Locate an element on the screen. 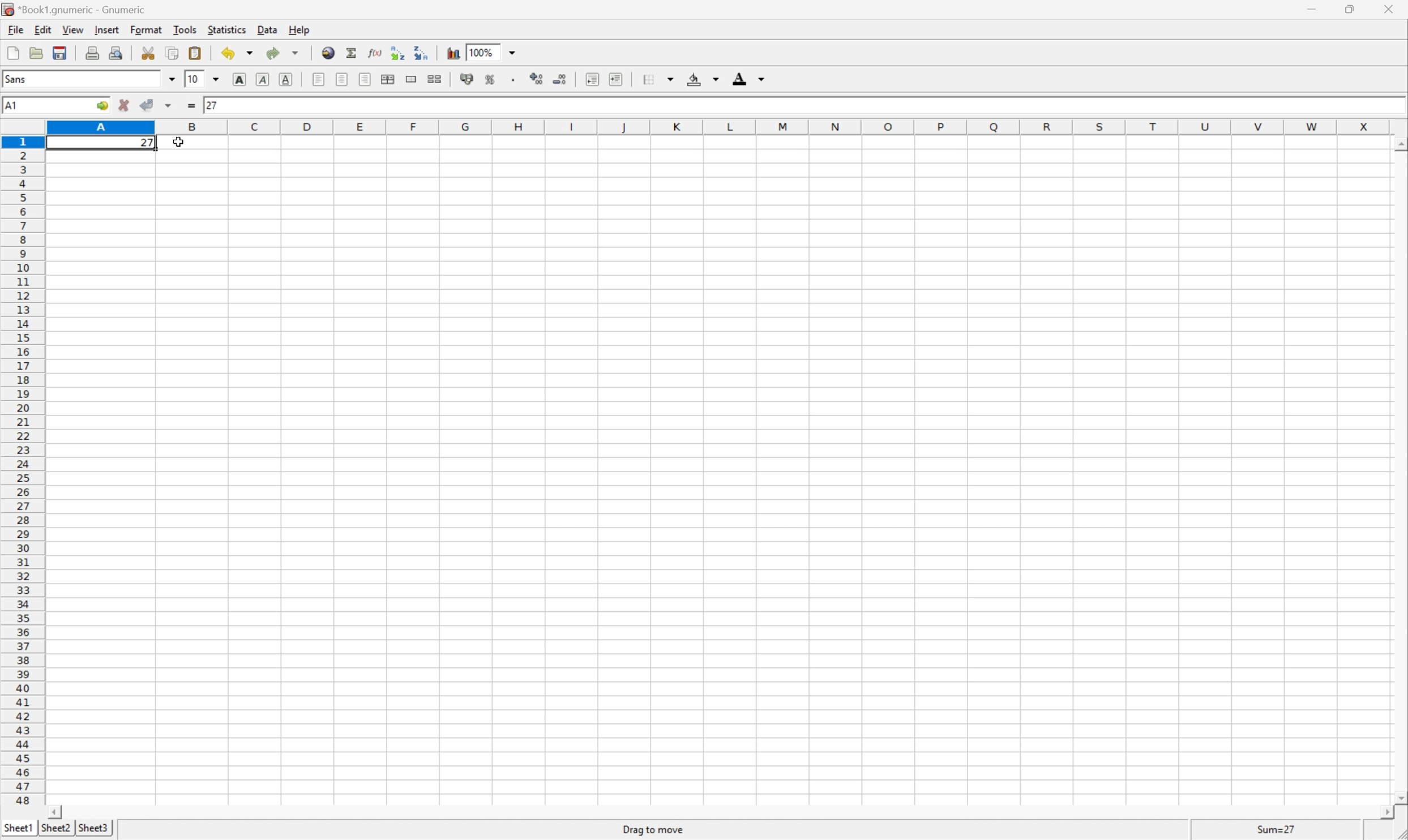  Save current workbook is located at coordinates (61, 53).